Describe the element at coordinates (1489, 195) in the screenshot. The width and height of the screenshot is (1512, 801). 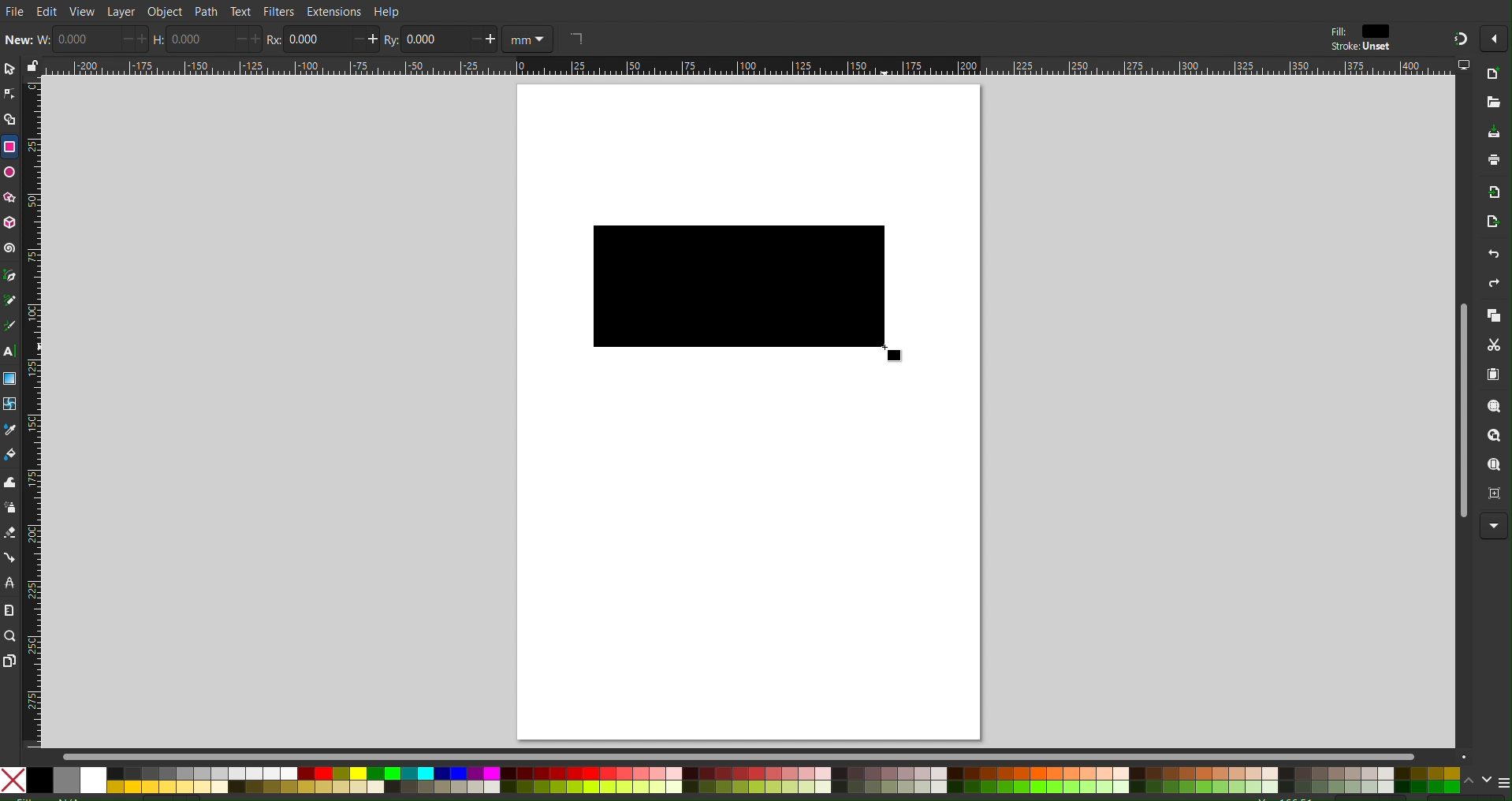
I see `Import Bitmap` at that location.